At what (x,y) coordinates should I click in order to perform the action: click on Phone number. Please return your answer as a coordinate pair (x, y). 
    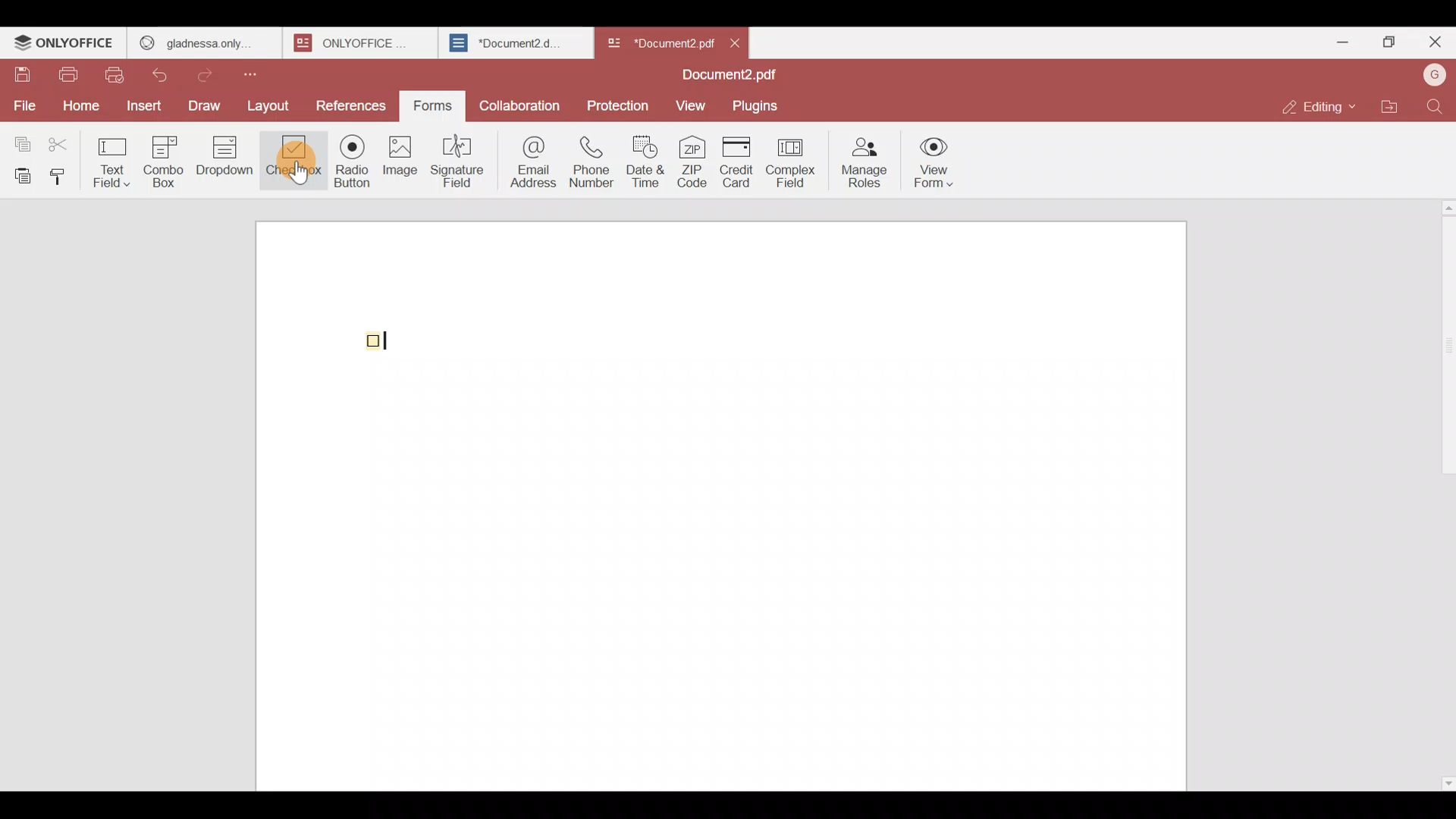
    Looking at the image, I should click on (593, 162).